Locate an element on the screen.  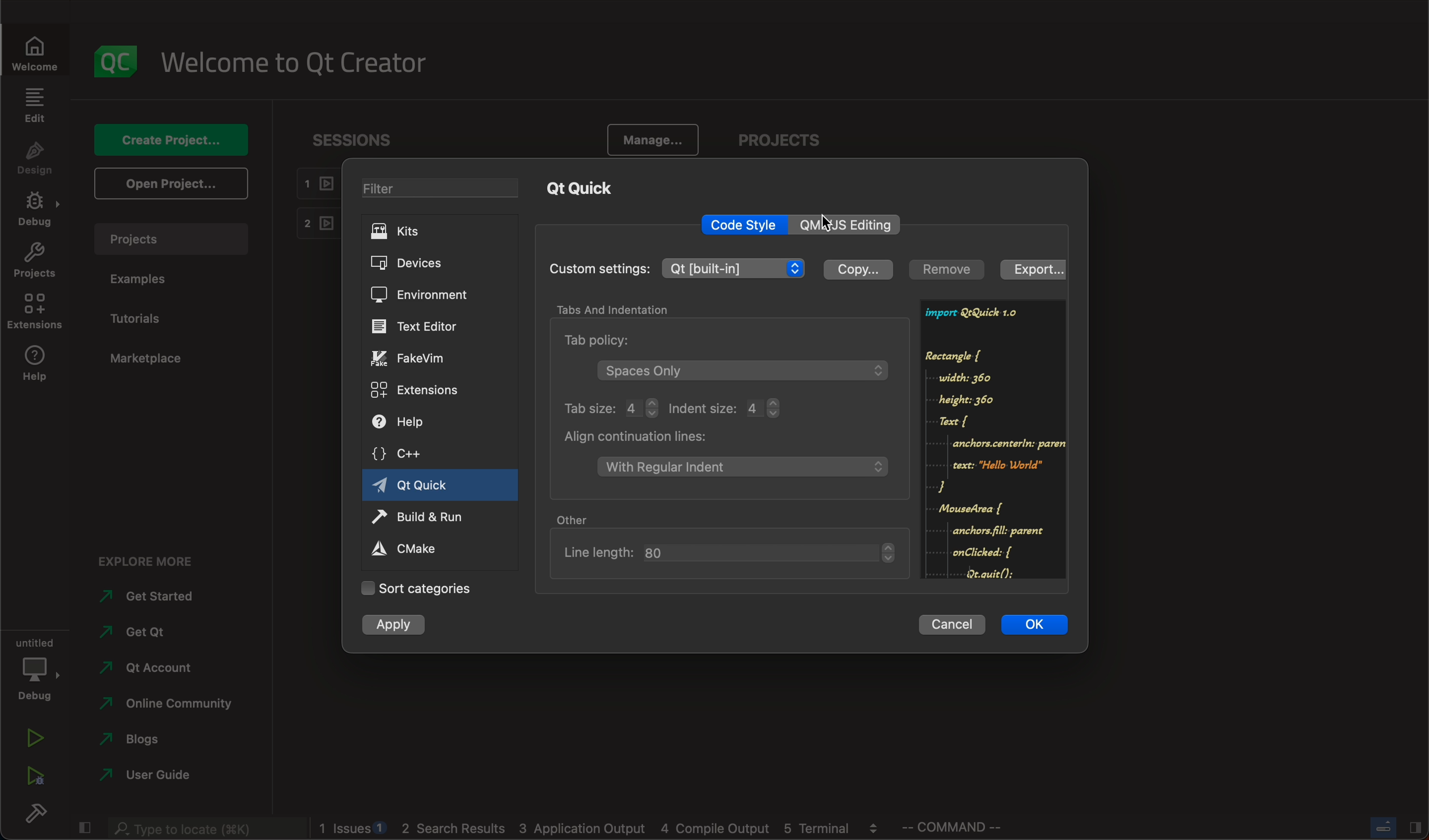
logo is located at coordinates (116, 63).